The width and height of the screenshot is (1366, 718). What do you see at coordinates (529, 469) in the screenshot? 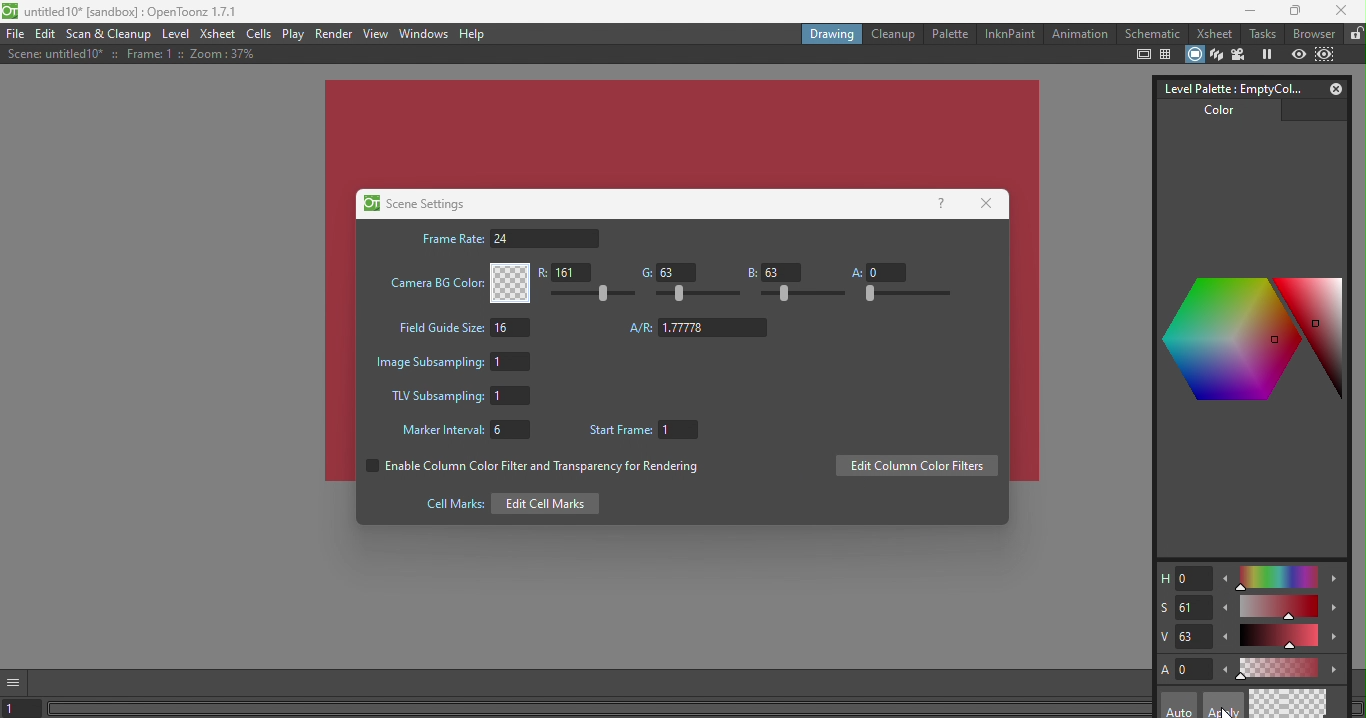
I see `Enable column color filter and transparency for rendering` at bounding box center [529, 469].